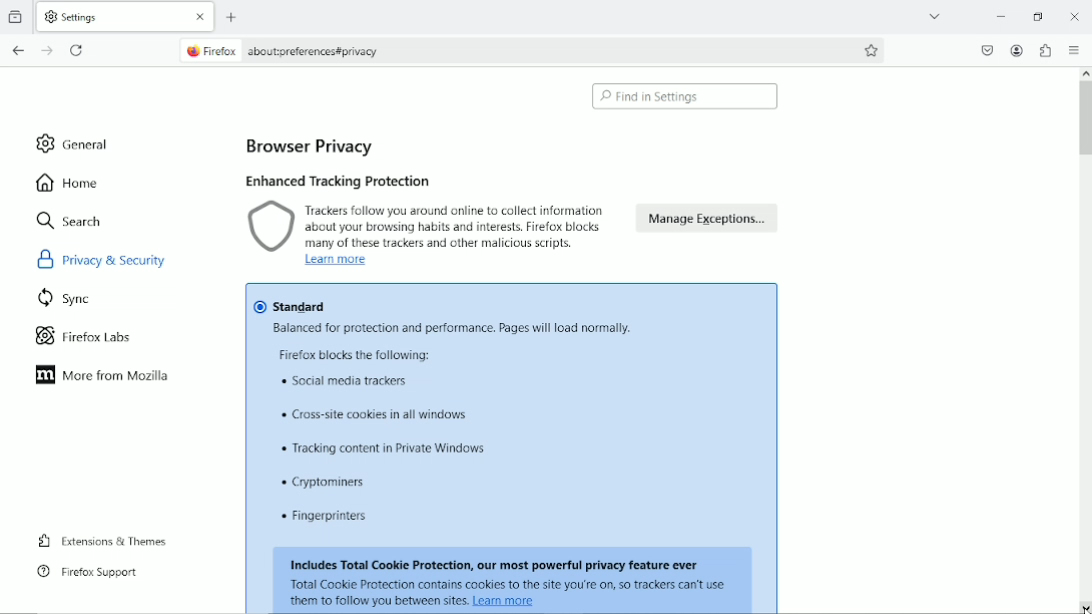 Image resolution: width=1092 pixels, height=614 pixels. Describe the element at coordinates (1018, 50) in the screenshot. I see `account` at that location.